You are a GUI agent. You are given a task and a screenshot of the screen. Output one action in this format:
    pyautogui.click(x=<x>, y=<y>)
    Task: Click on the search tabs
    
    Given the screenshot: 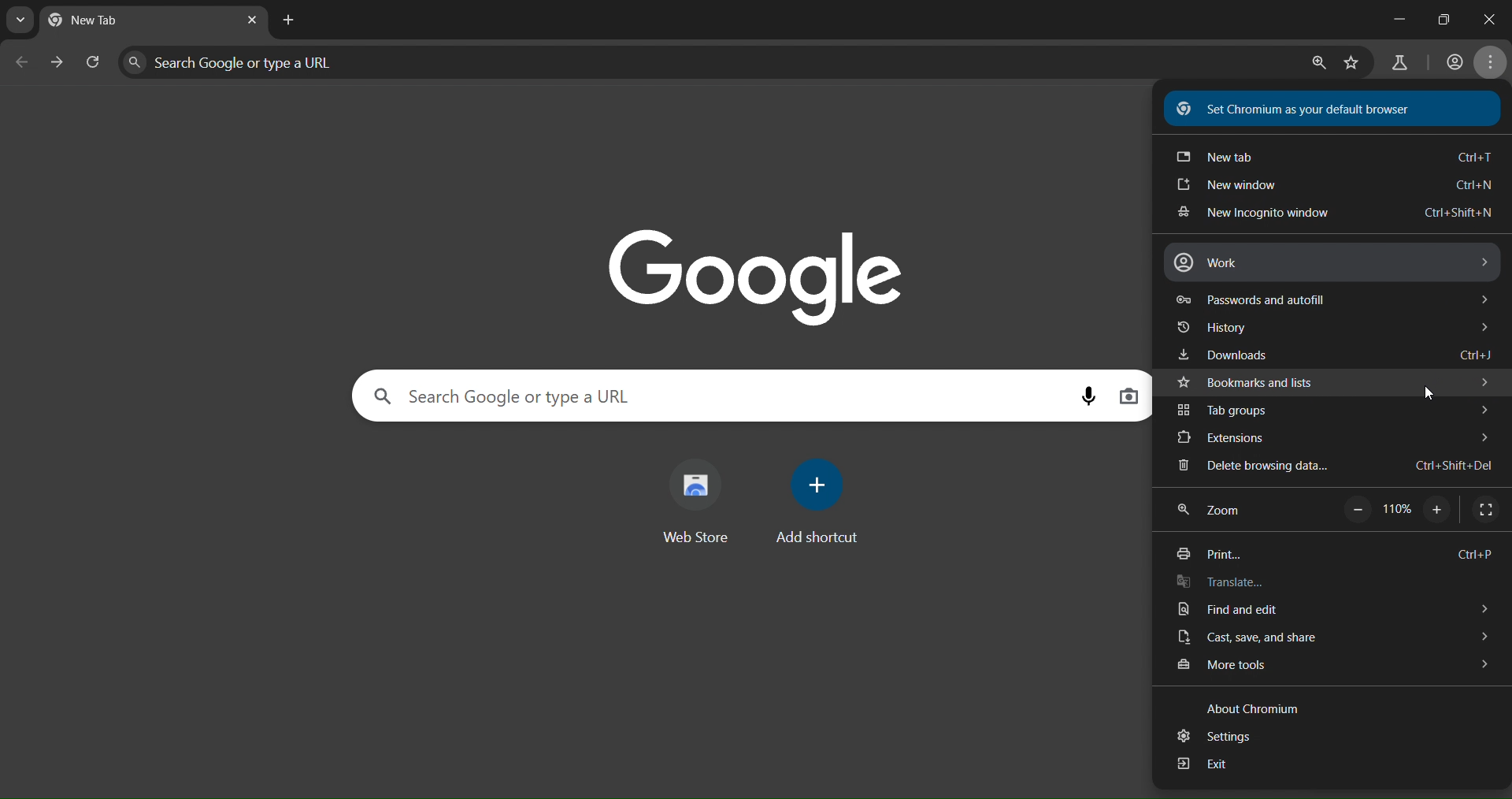 What is the action you would take?
    pyautogui.click(x=20, y=20)
    